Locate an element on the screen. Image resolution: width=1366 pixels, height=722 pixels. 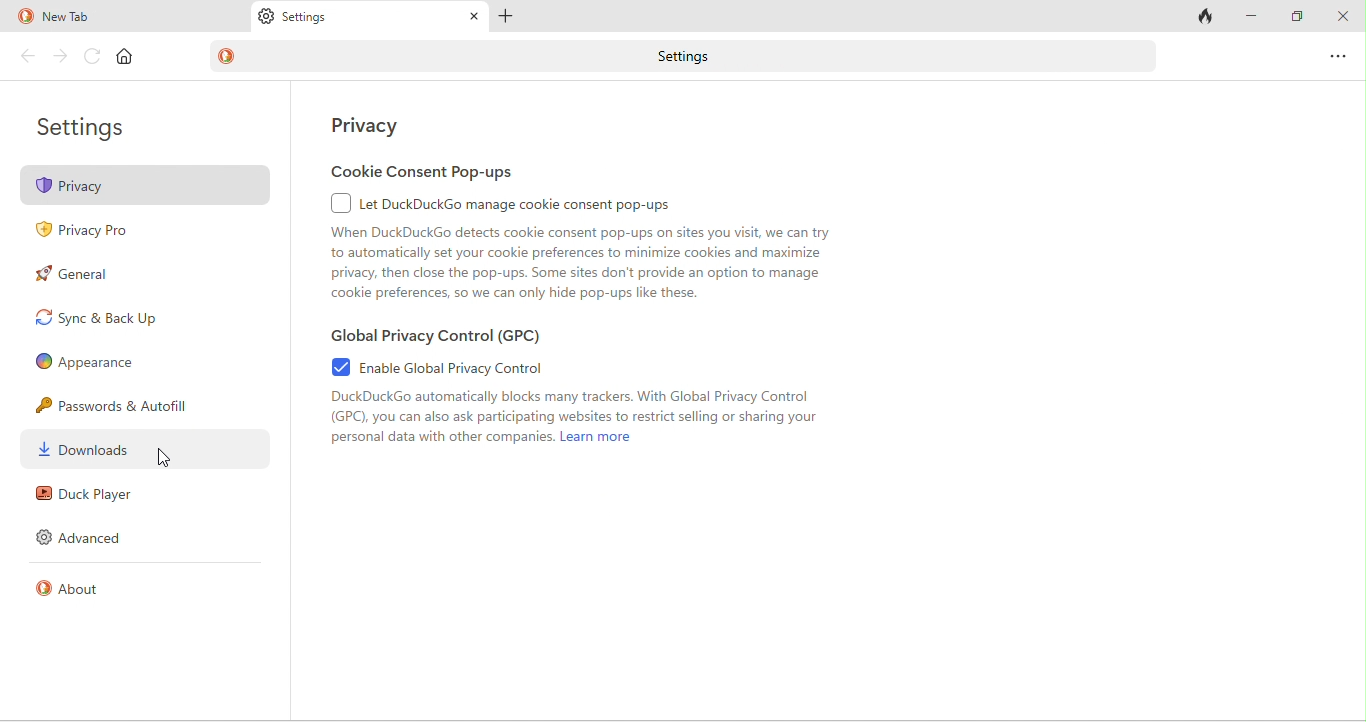
DuckDuckGo automatically blocks many trackers. With Global Privacy Control
(GPO), you can also ask participating websites to restrict selling or sharing your
personal data with other companies. Lear more is located at coordinates (570, 419).